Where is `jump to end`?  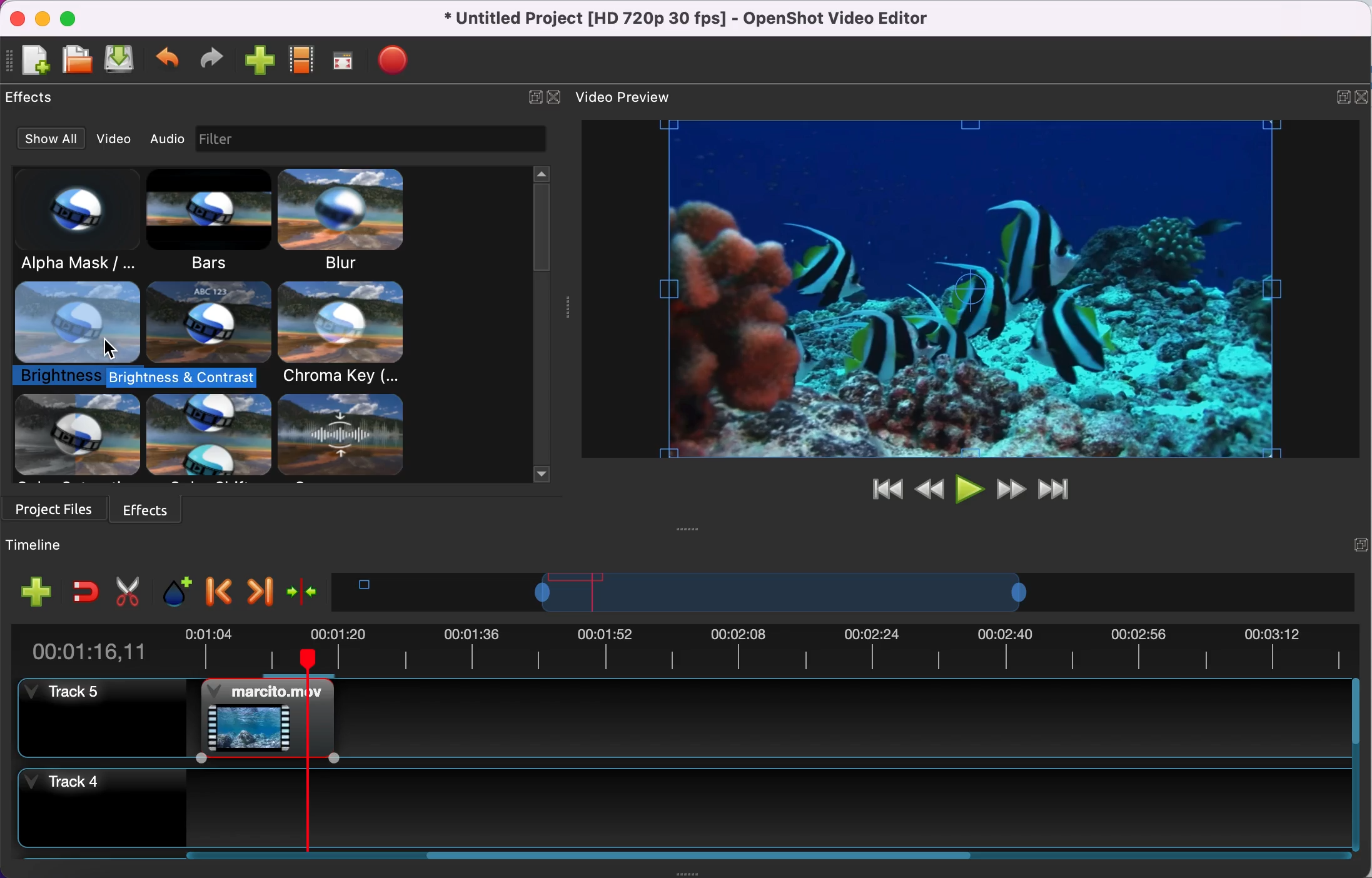
jump to end is located at coordinates (1056, 490).